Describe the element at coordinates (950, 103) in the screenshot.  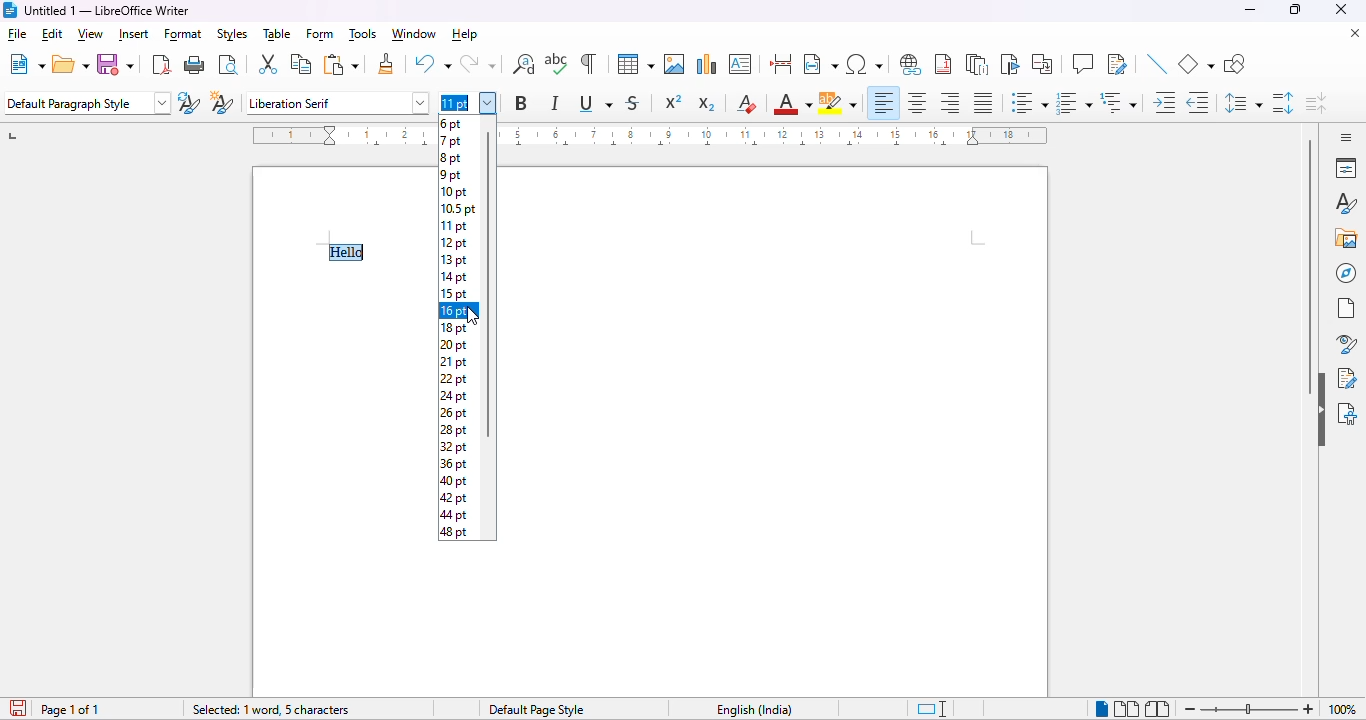
I see `align right` at that location.